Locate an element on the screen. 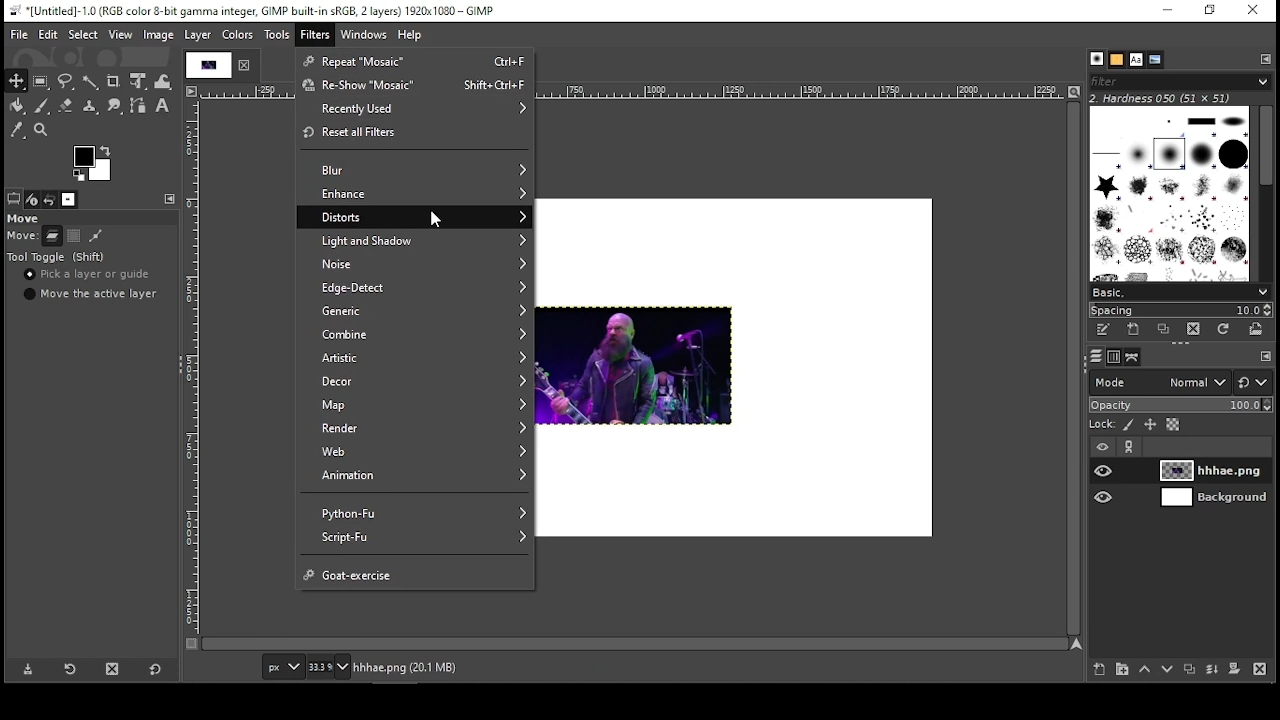 This screenshot has height=720, width=1280. layer visibility on/off is located at coordinates (1106, 498).